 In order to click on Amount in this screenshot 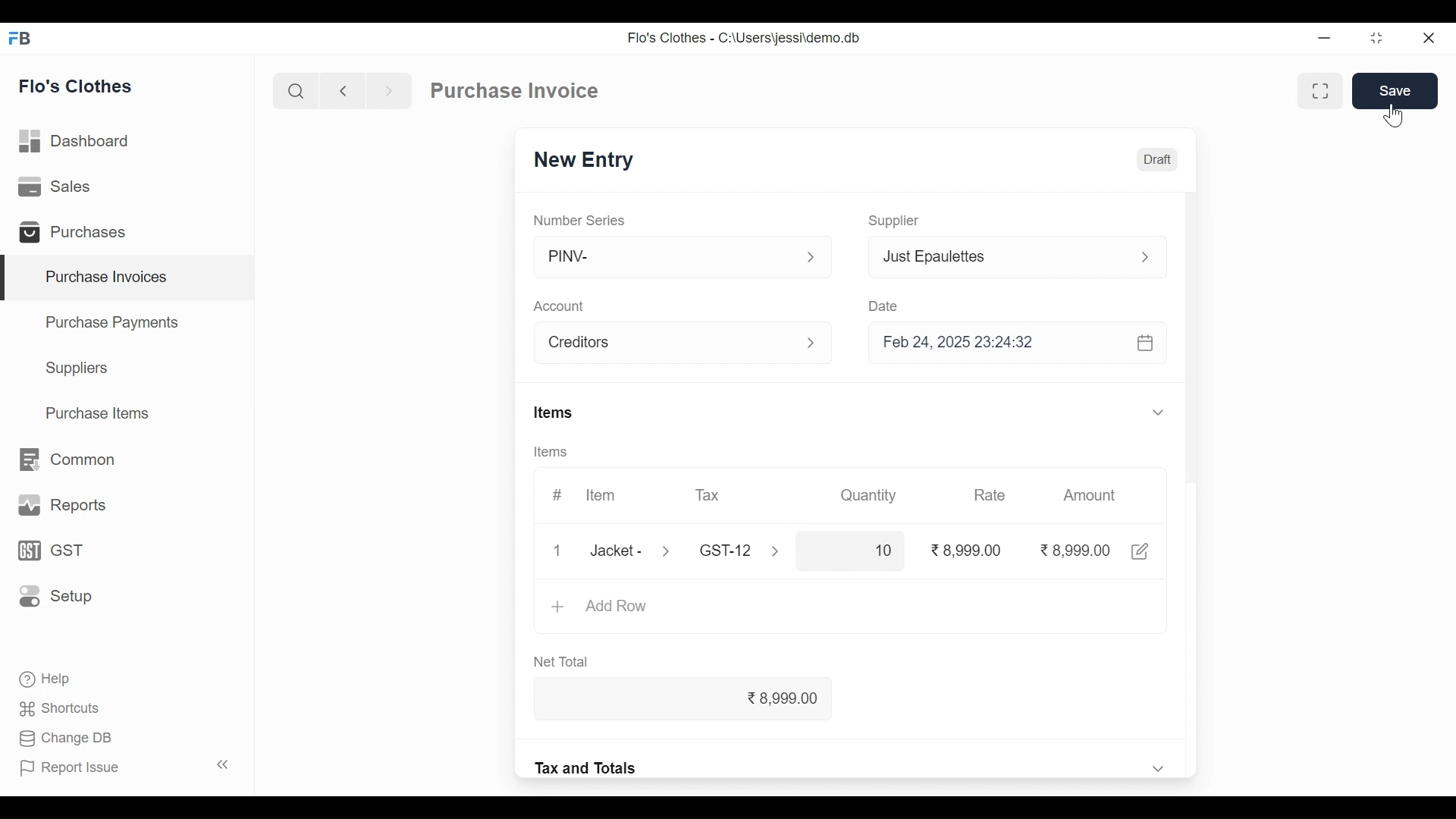, I will do `click(1090, 495)`.